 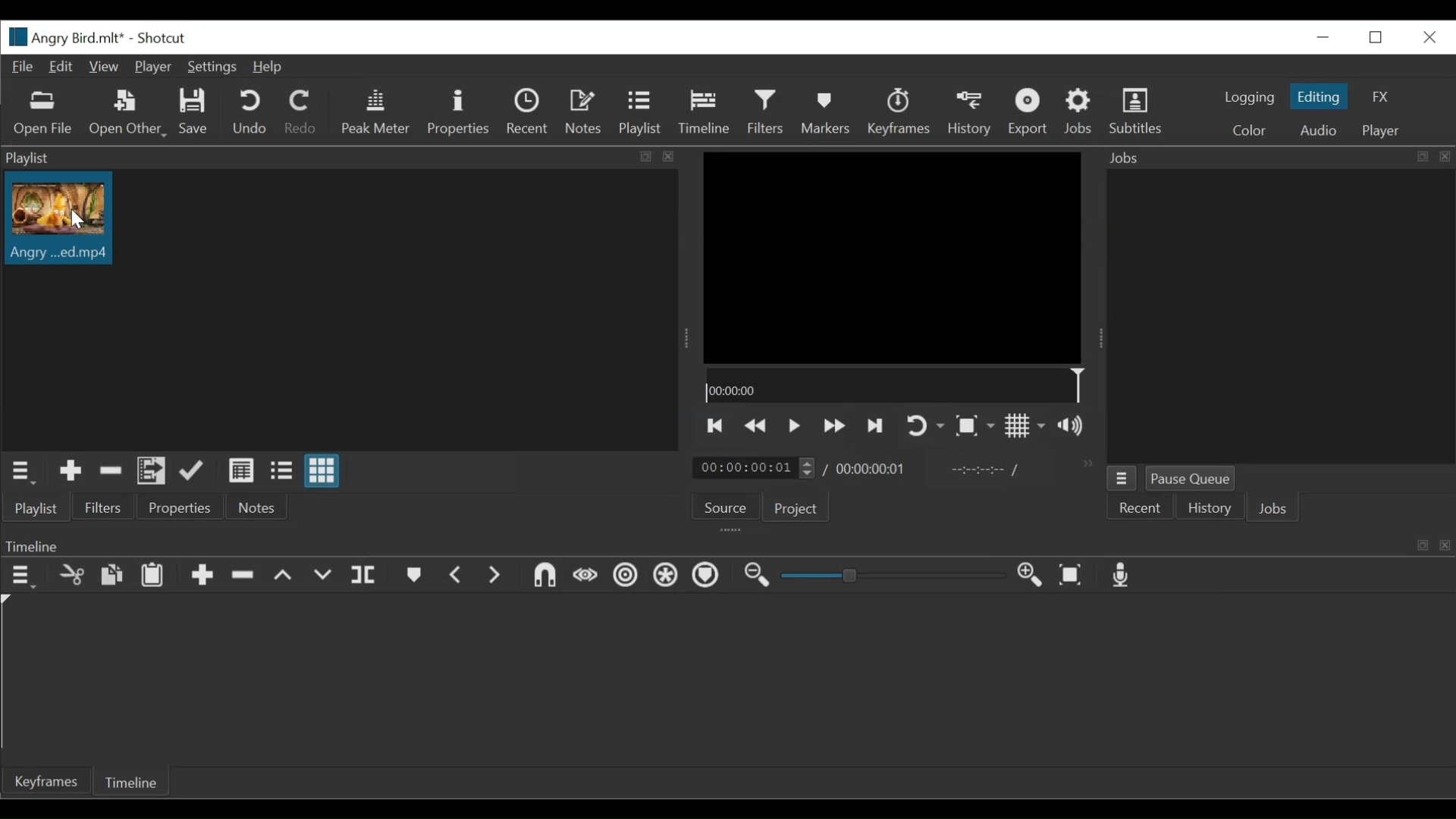 What do you see at coordinates (755, 466) in the screenshot?
I see `Current Duration` at bounding box center [755, 466].